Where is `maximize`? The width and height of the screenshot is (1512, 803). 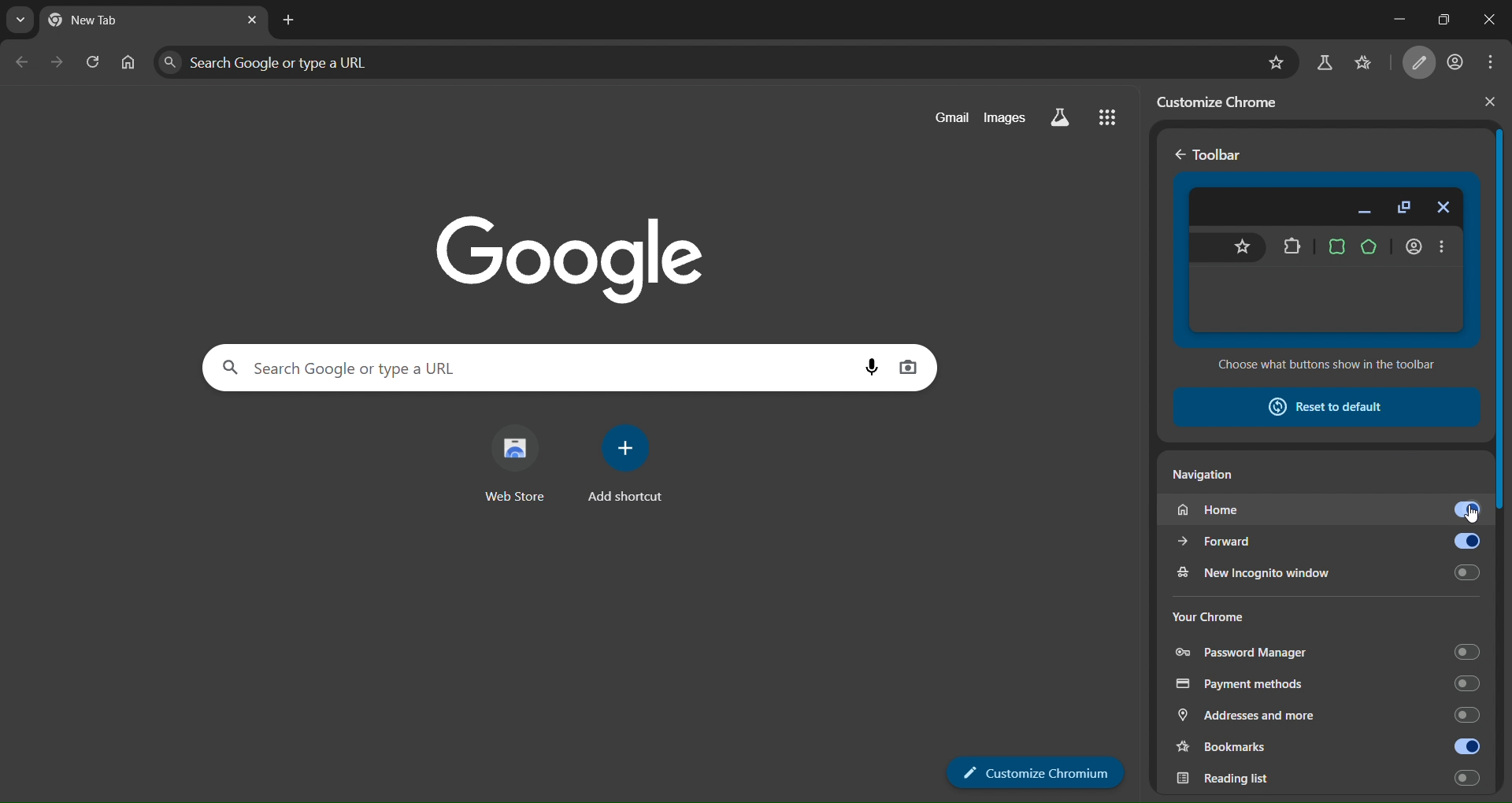
maximize is located at coordinates (1440, 18).